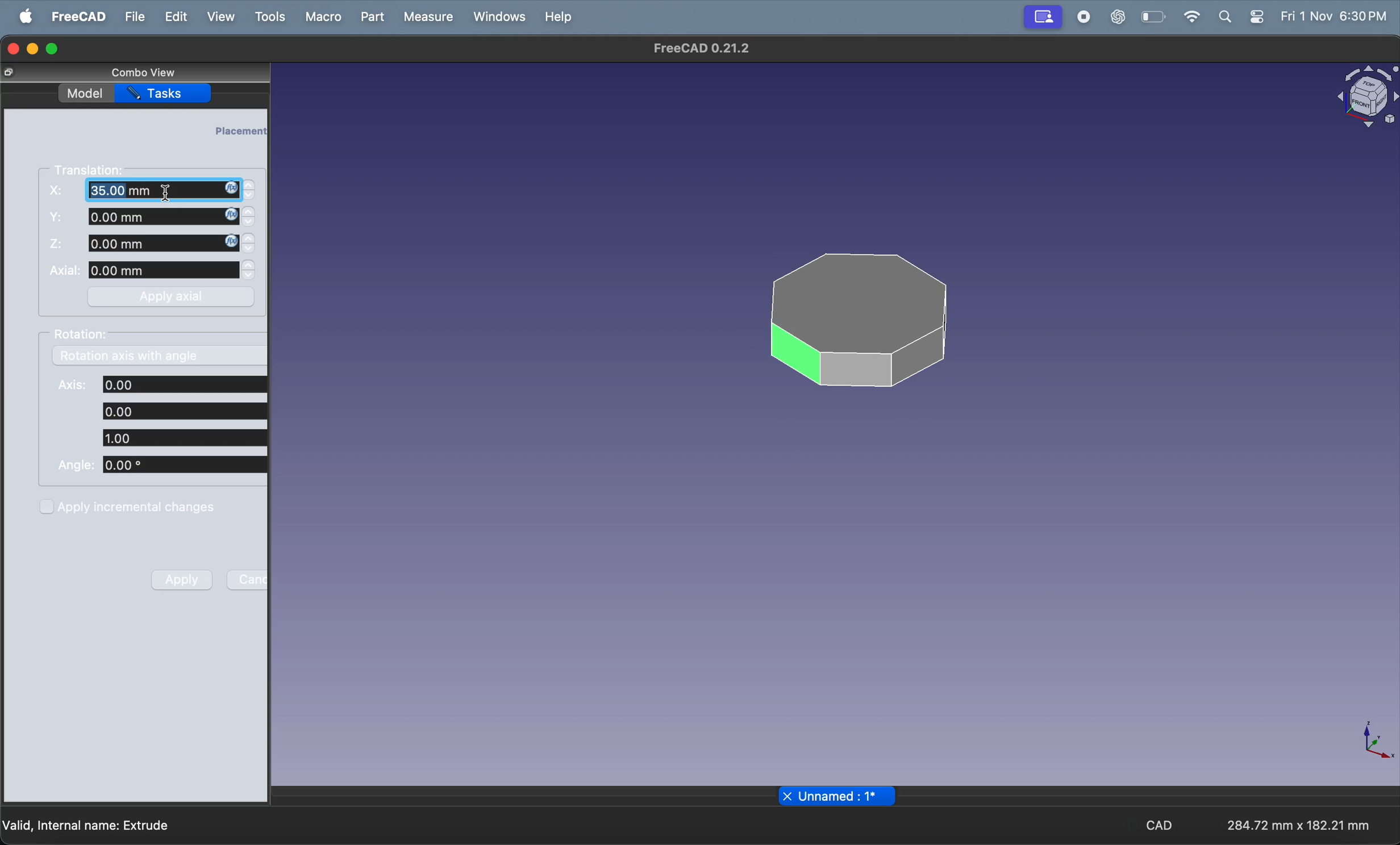 The width and height of the screenshot is (1400, 845). I want to click on Axis: 0.00, so click(162, 384).